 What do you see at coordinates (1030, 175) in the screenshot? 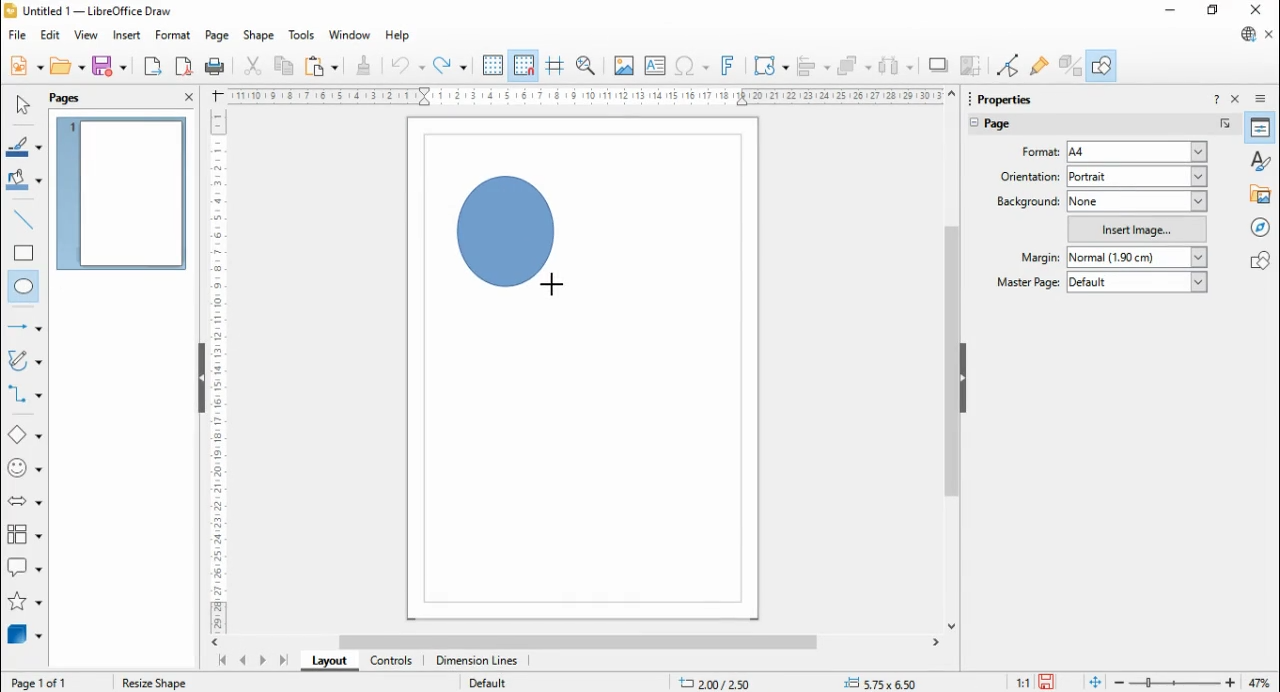
I see `page orientation` at bounding box center [1030, 175].